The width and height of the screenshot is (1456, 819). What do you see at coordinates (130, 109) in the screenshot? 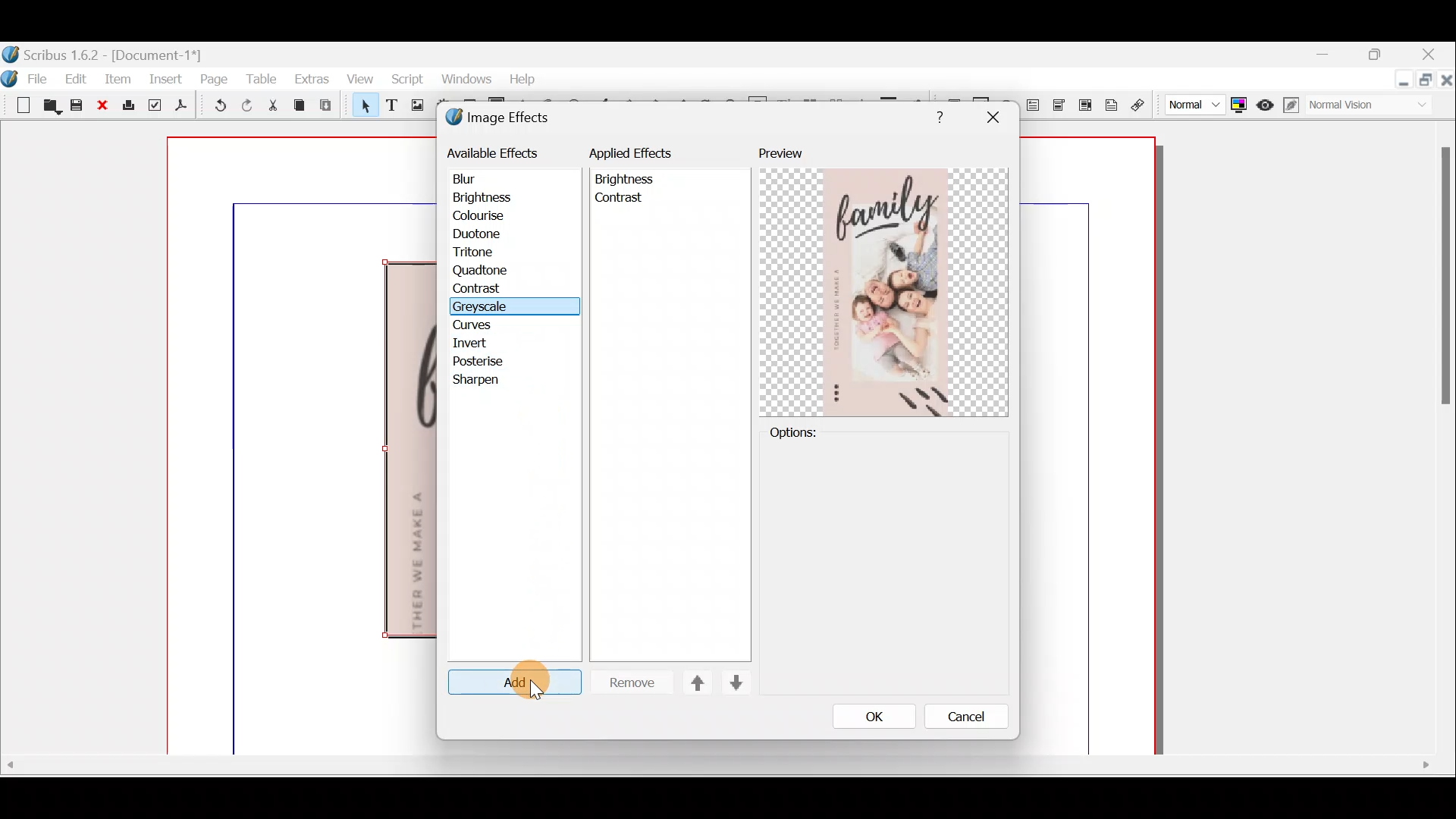
I see `Print` at bounding box center [130, 109].